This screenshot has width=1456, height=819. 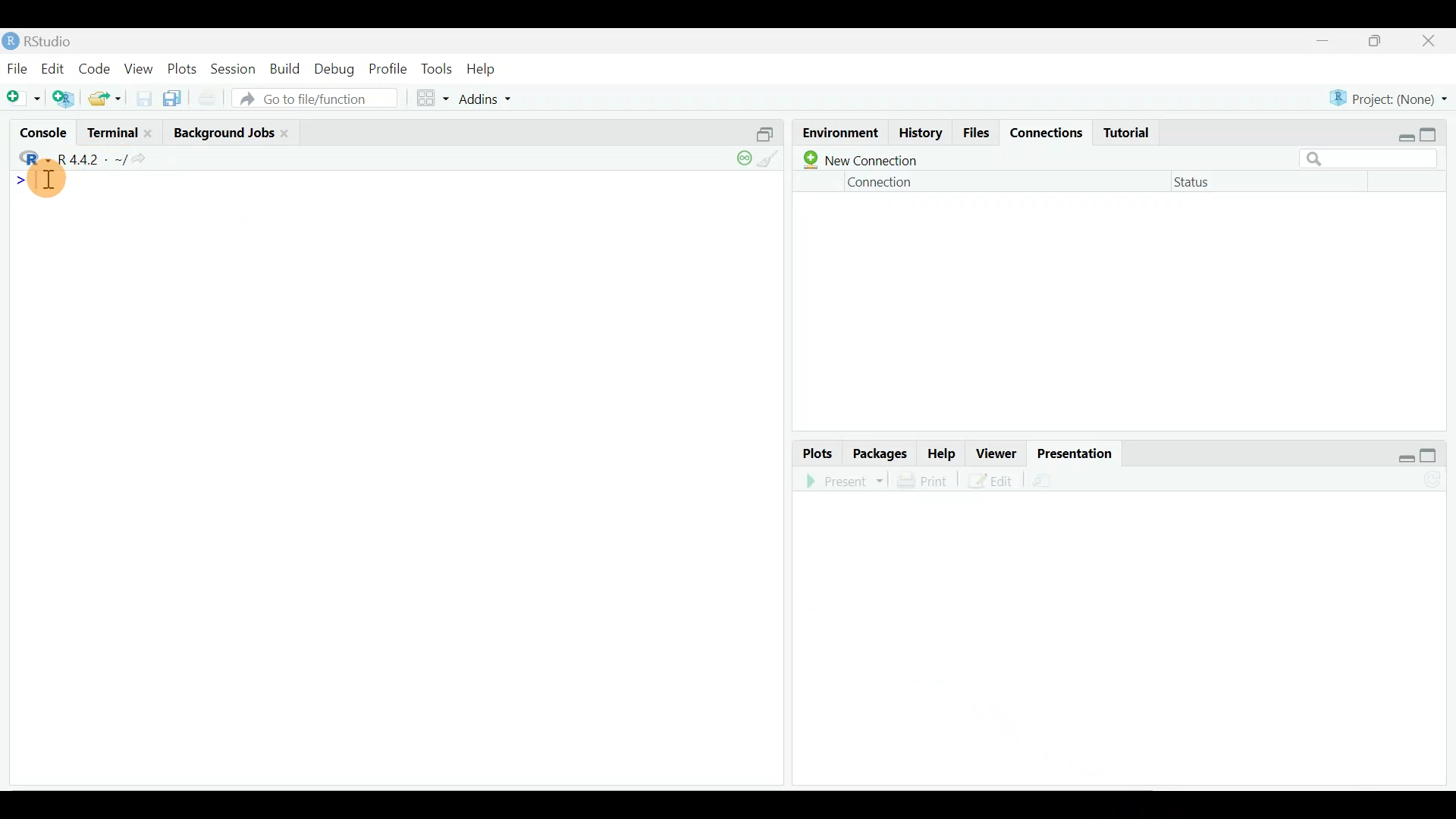 What do you see at coordinates (861, 159) in the screenshot?
I see `New connection` at bounding box center [861, 159].